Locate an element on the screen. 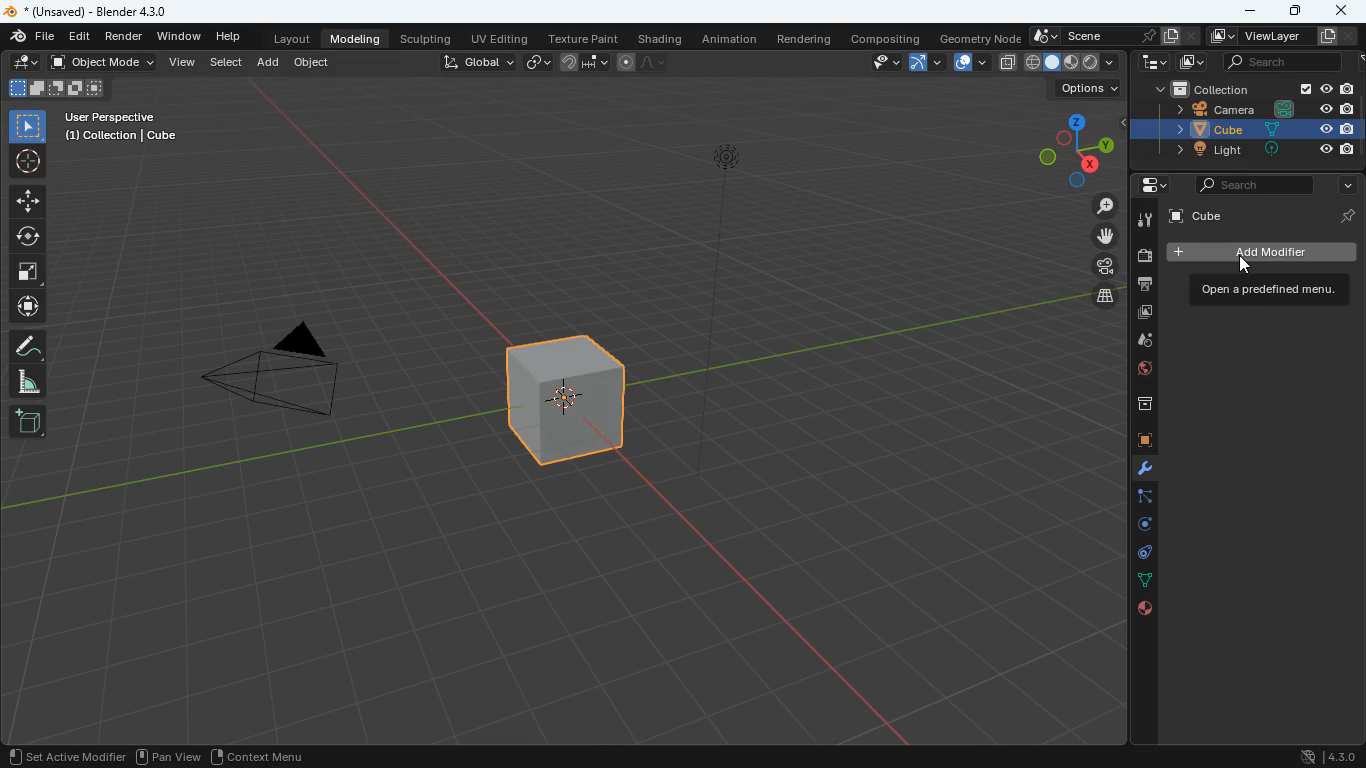 This screenshot has width=1366, height=768. animation is located at coordinates (728, 38).